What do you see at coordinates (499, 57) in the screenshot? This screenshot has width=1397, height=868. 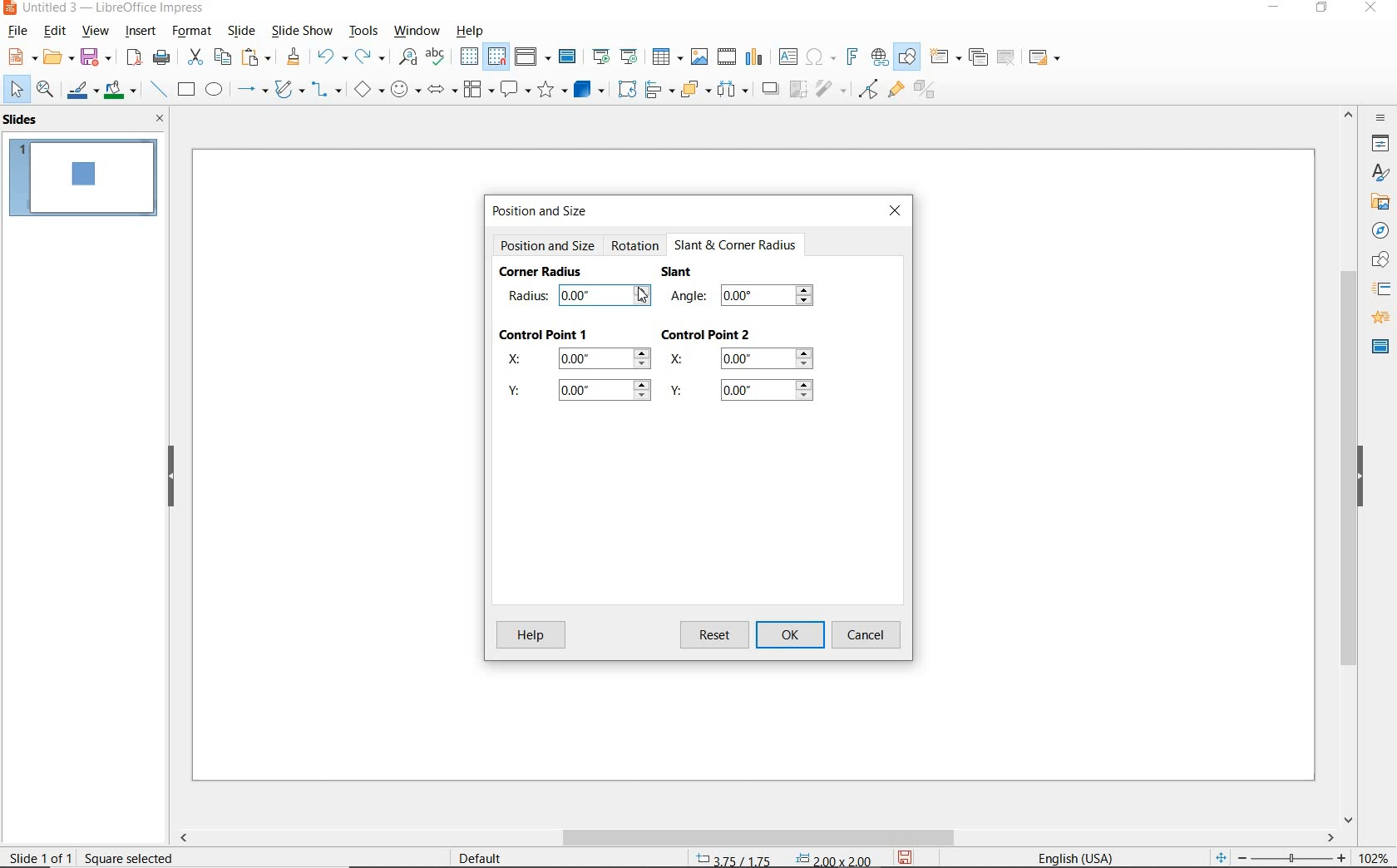 I see `snap to grid` at bounding box center [499, 57].